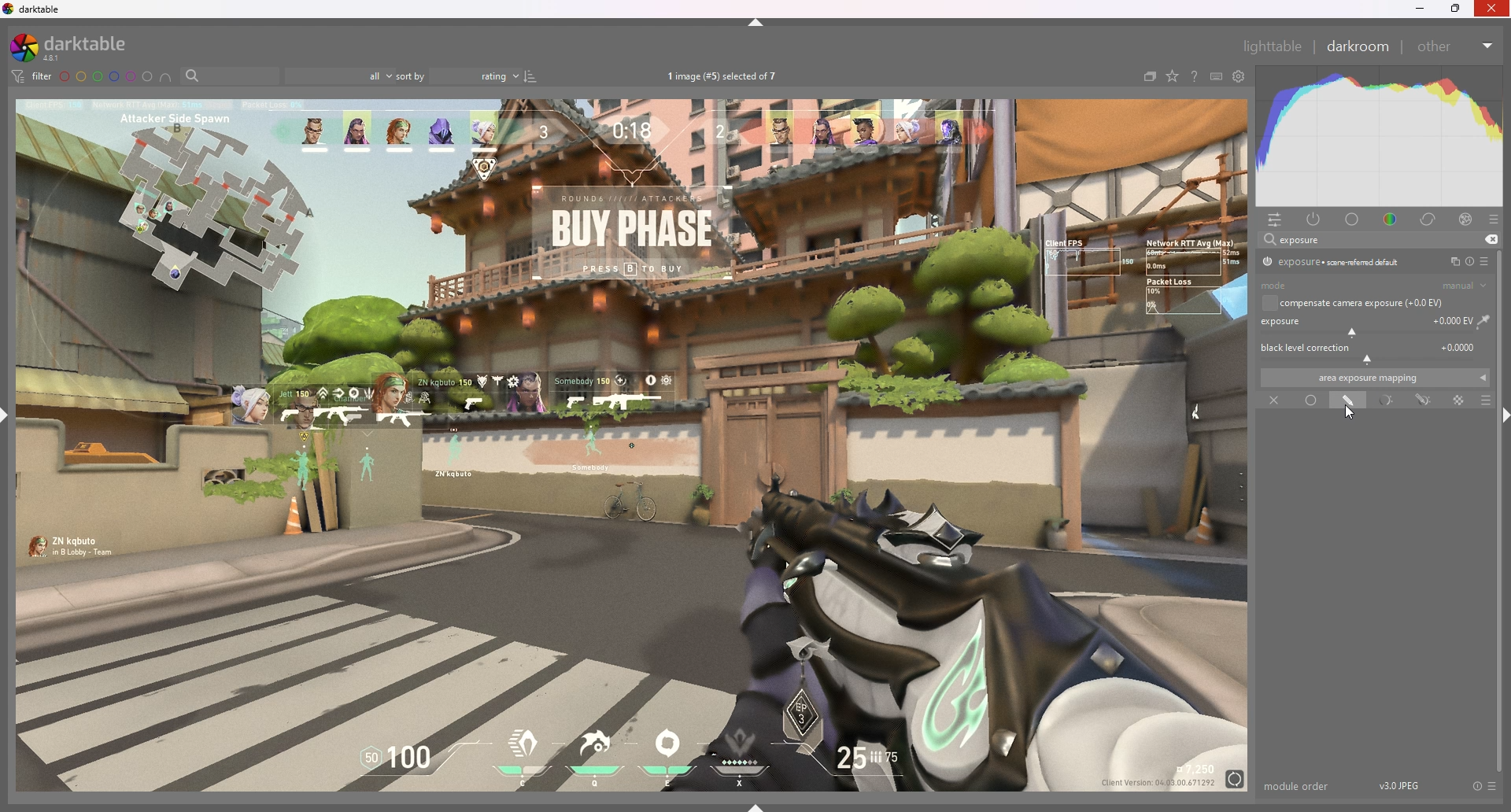 Image resolution: width=1511 pixels, height=812 pixels. I want to click on cursor, so click(1349, 418).